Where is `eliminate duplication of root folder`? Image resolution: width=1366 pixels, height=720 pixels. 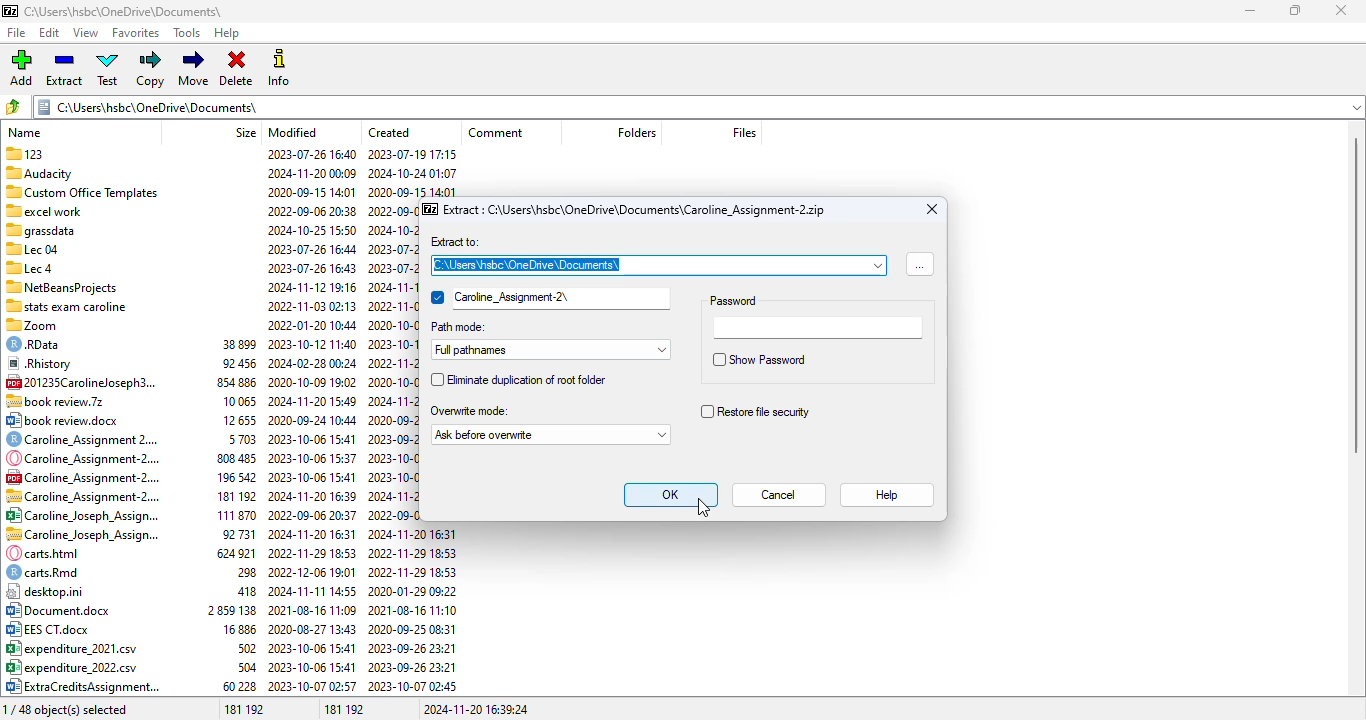
eliminate duplication of root folder is located at coordinates (517, 380).